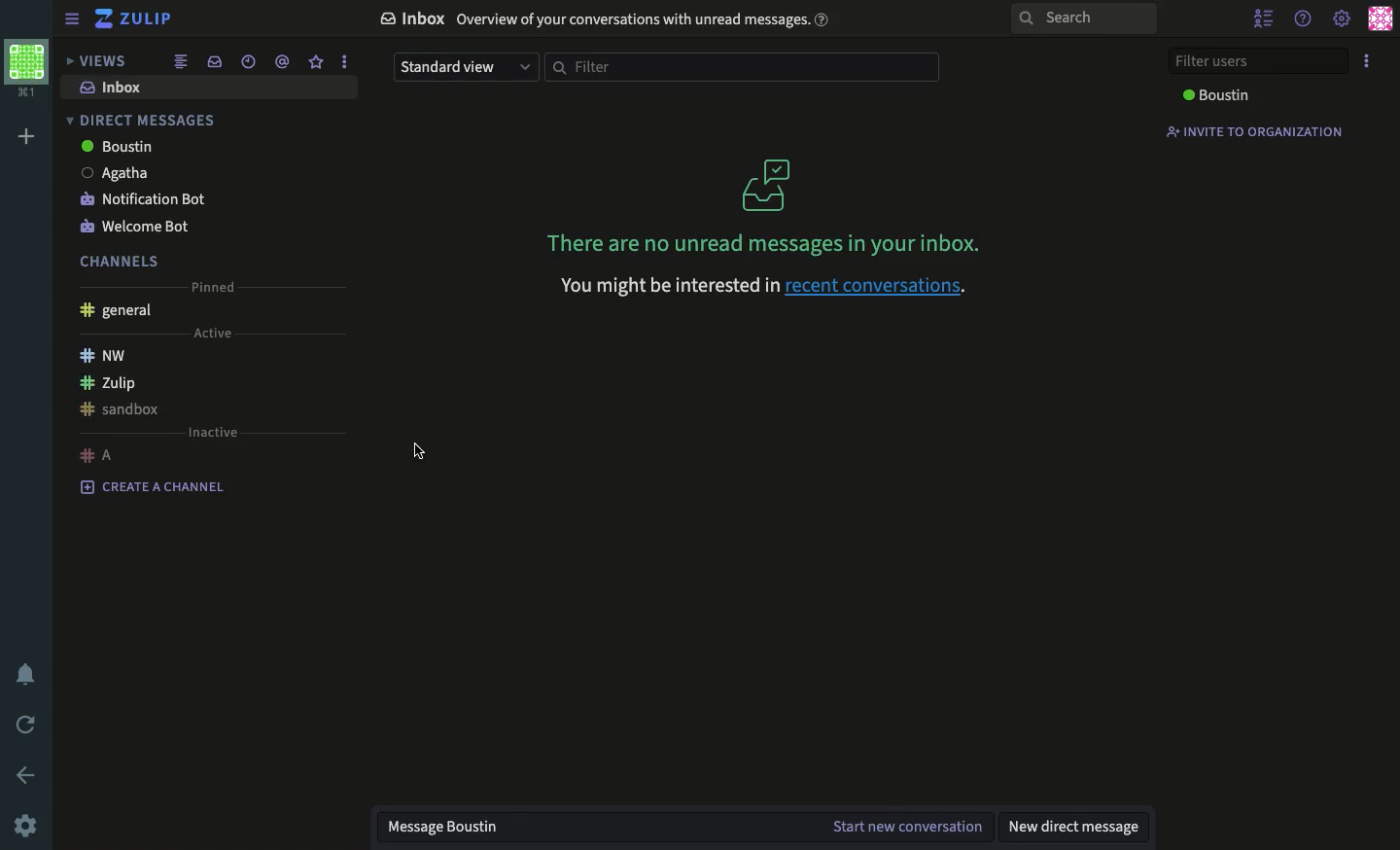  Describe the element at coordinates (23, 136) in the screenshot. I see `add workspace` at that location.